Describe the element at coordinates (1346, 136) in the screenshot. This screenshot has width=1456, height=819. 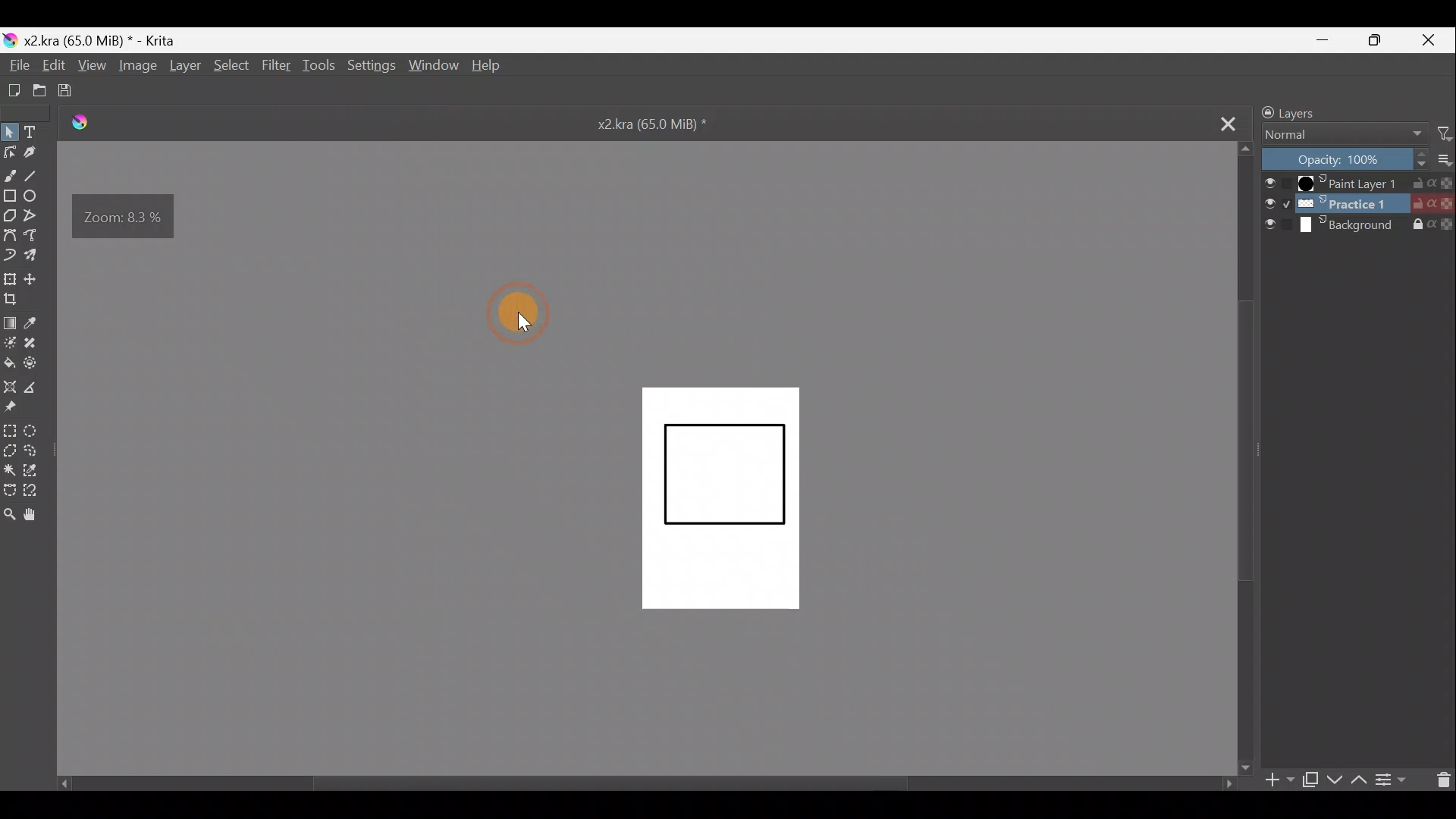
I see `Blending mode` at that location.